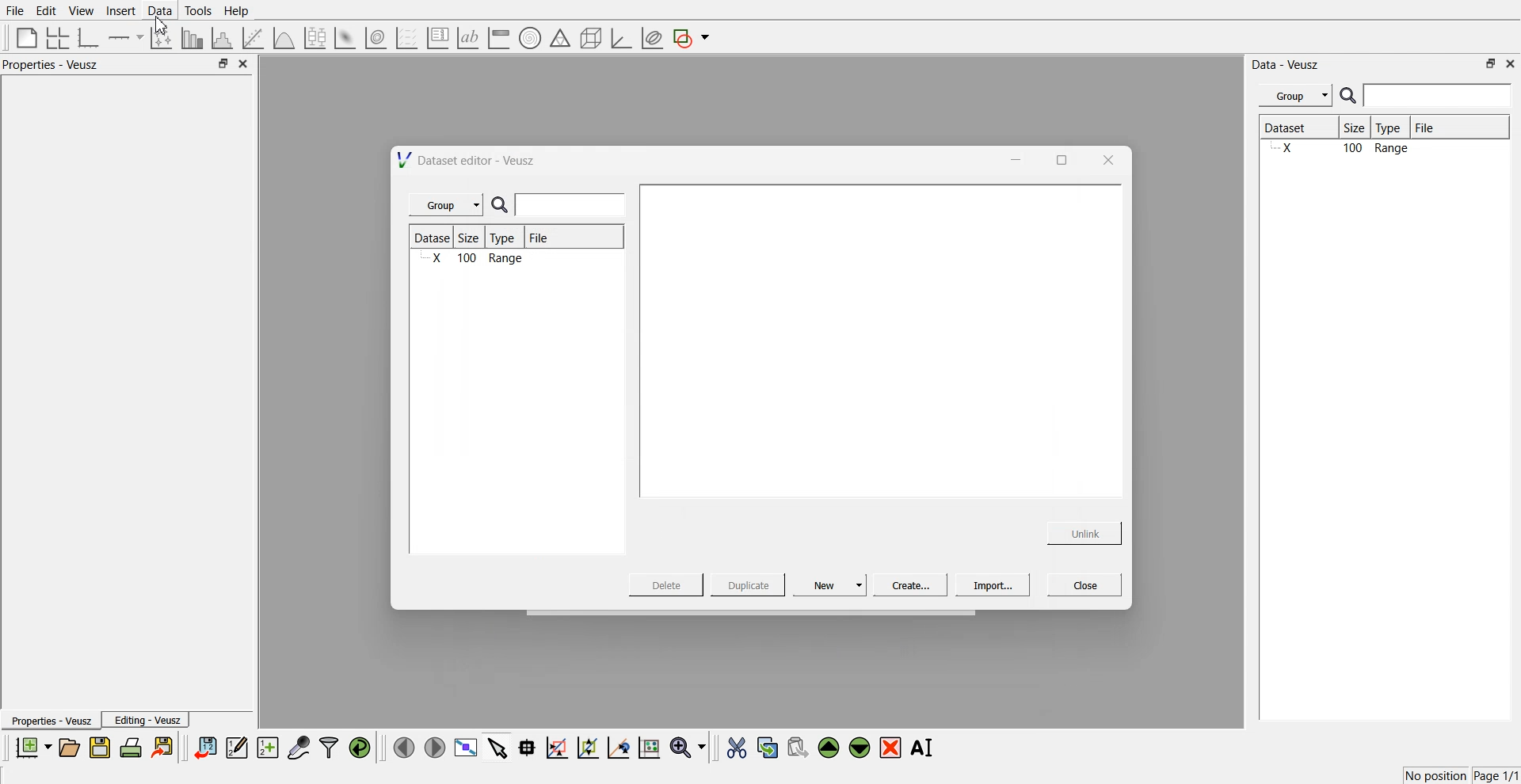  Describe the element at coordinates (1511, 63) in the screenshot. I see `close` at that location.